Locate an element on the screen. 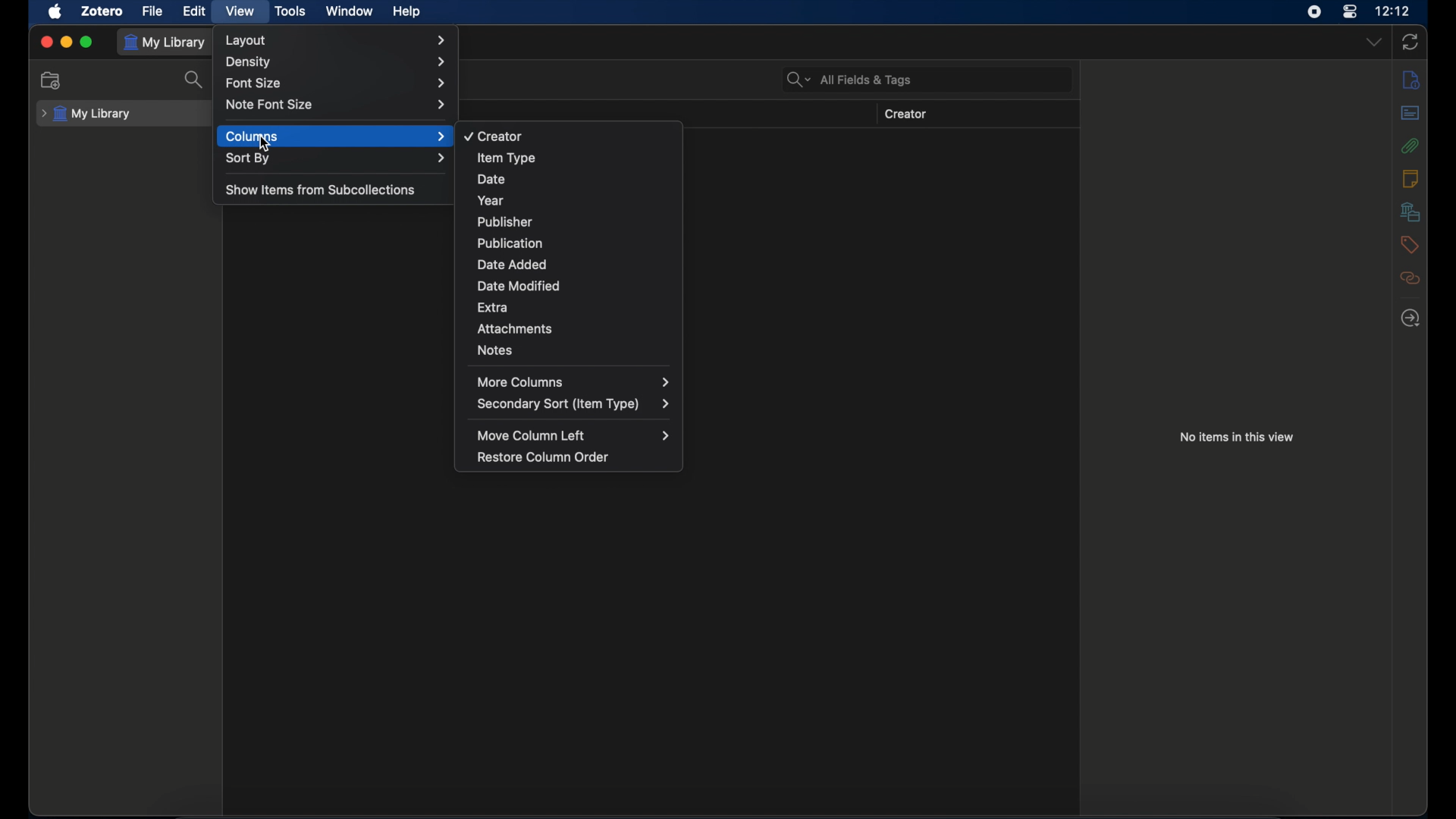 The height and width of the screenshot is (819, 1456). no item in this view is located at coordinates (1238, 437).